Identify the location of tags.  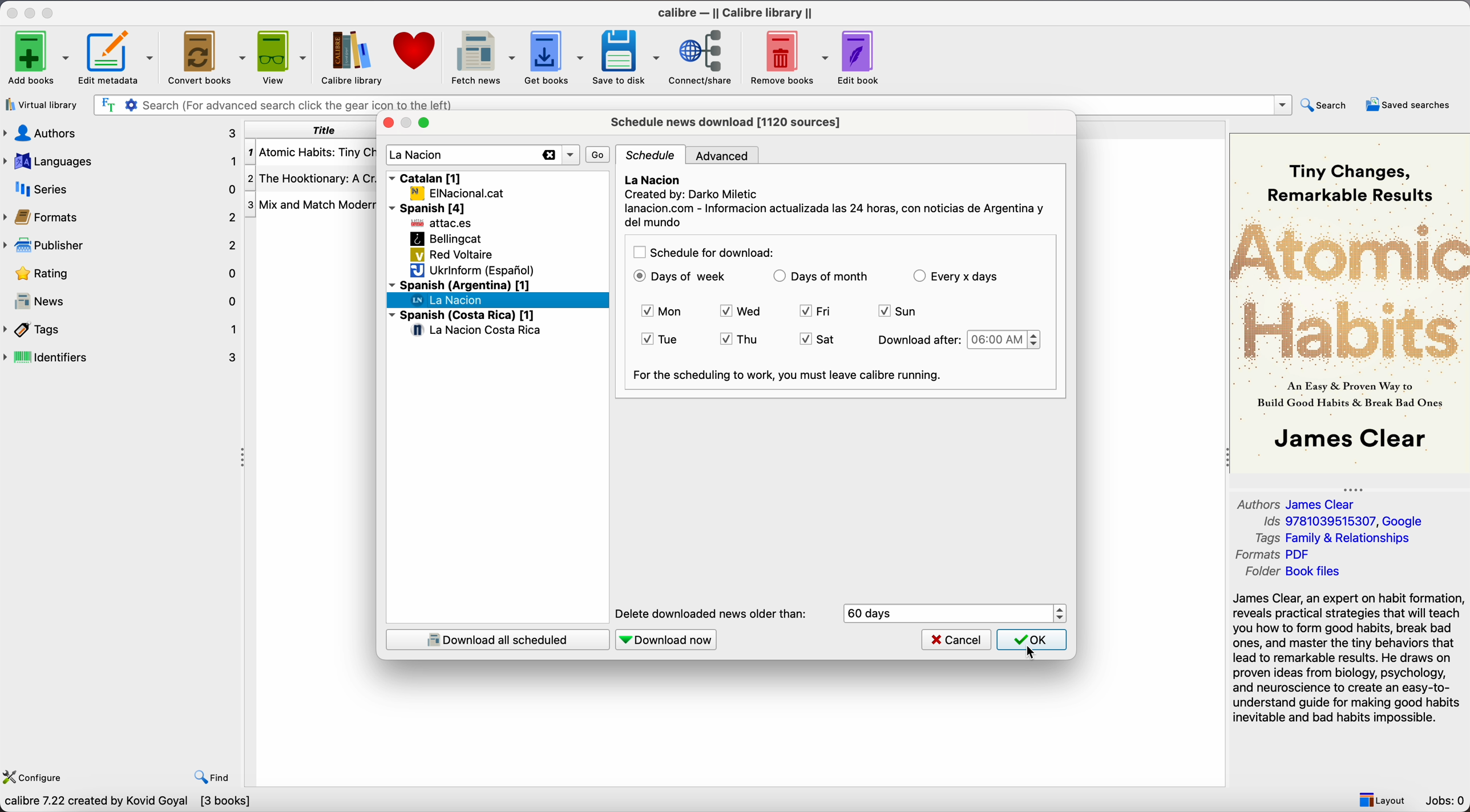
(122, 330).